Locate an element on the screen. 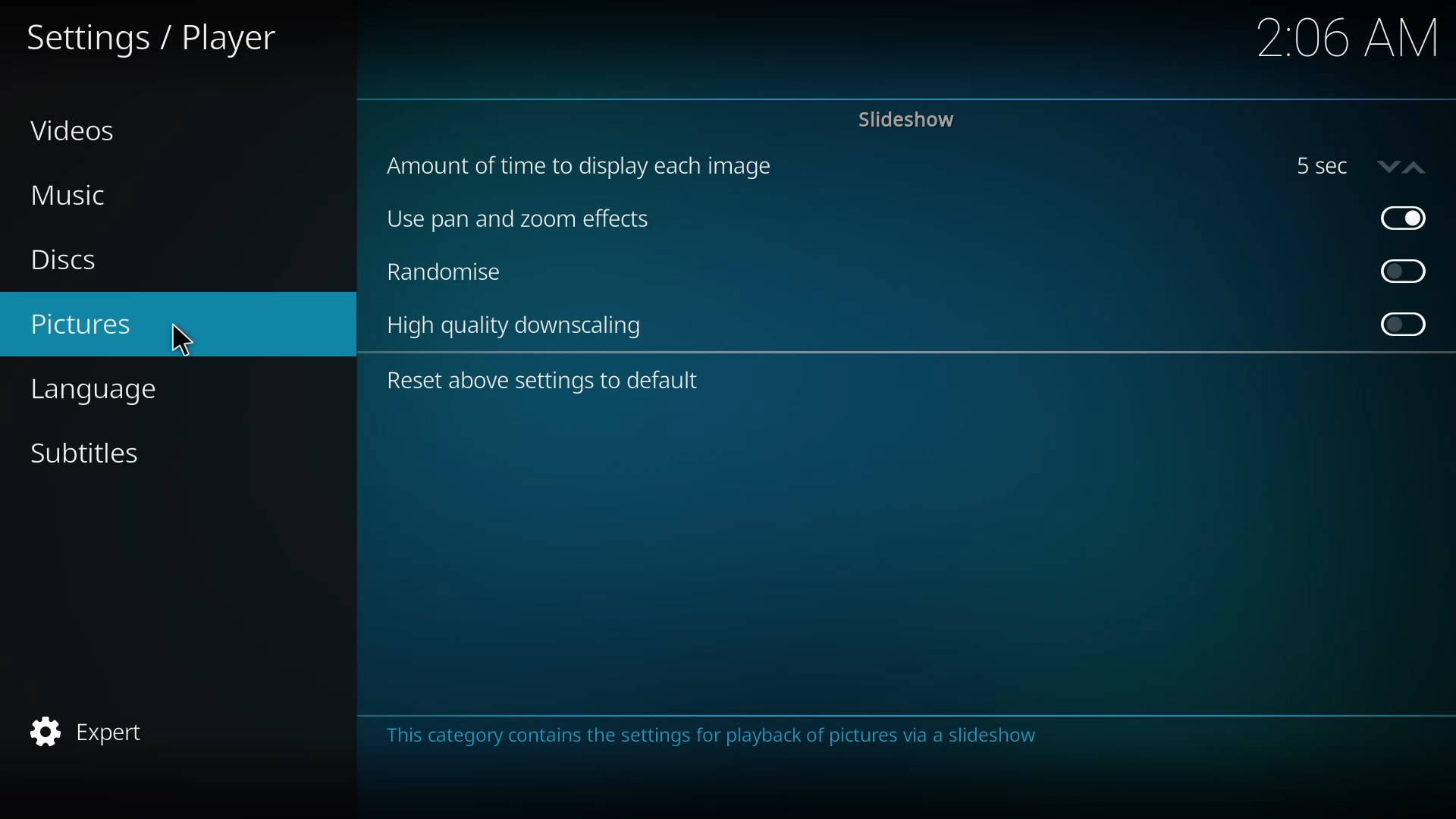 This screenshot has height=819, width=1456. settings player is located at coordinates (157, 40).